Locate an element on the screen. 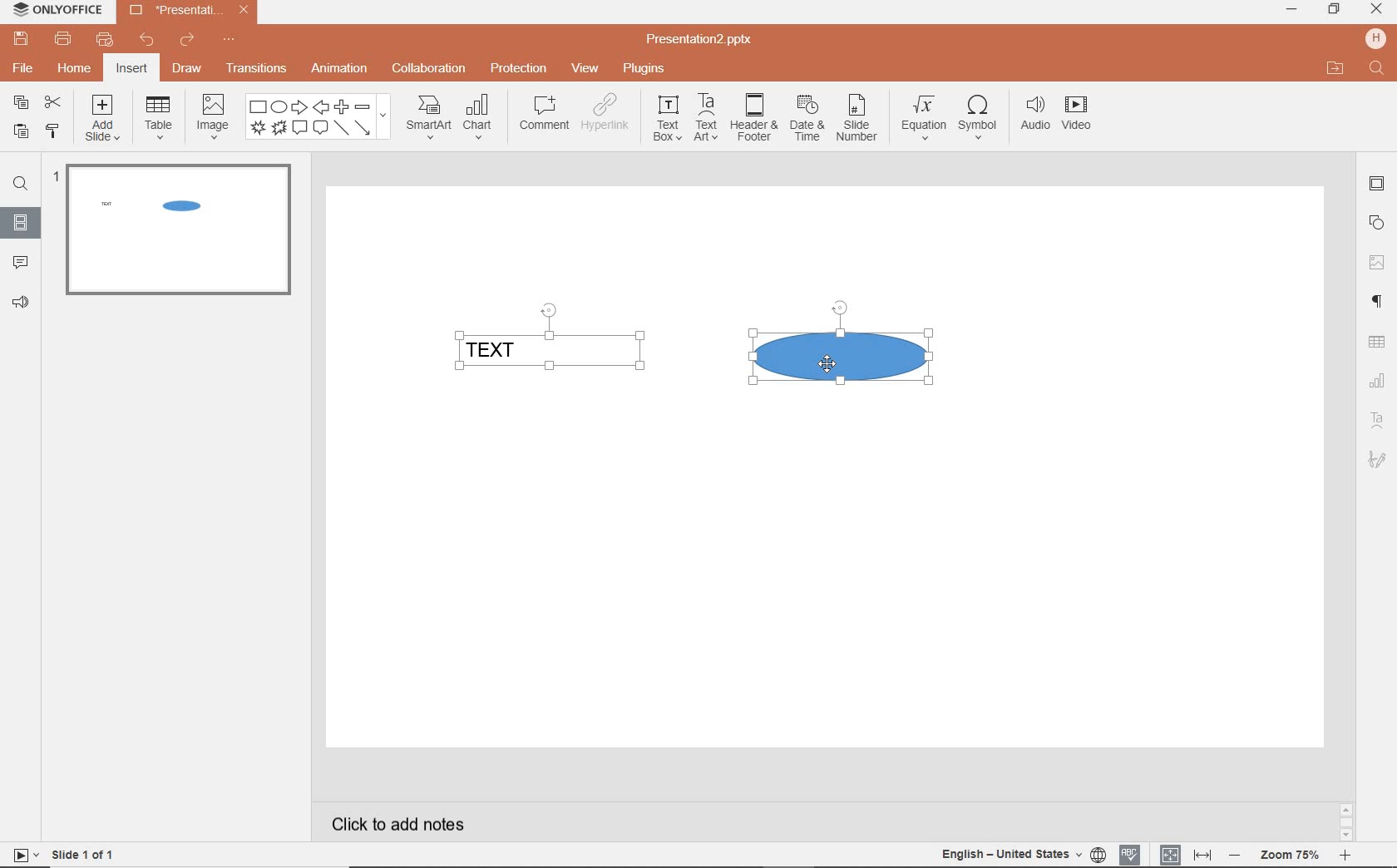 This screenshot has height=868, width=1397. textbox is located at coordinates (665, 119).